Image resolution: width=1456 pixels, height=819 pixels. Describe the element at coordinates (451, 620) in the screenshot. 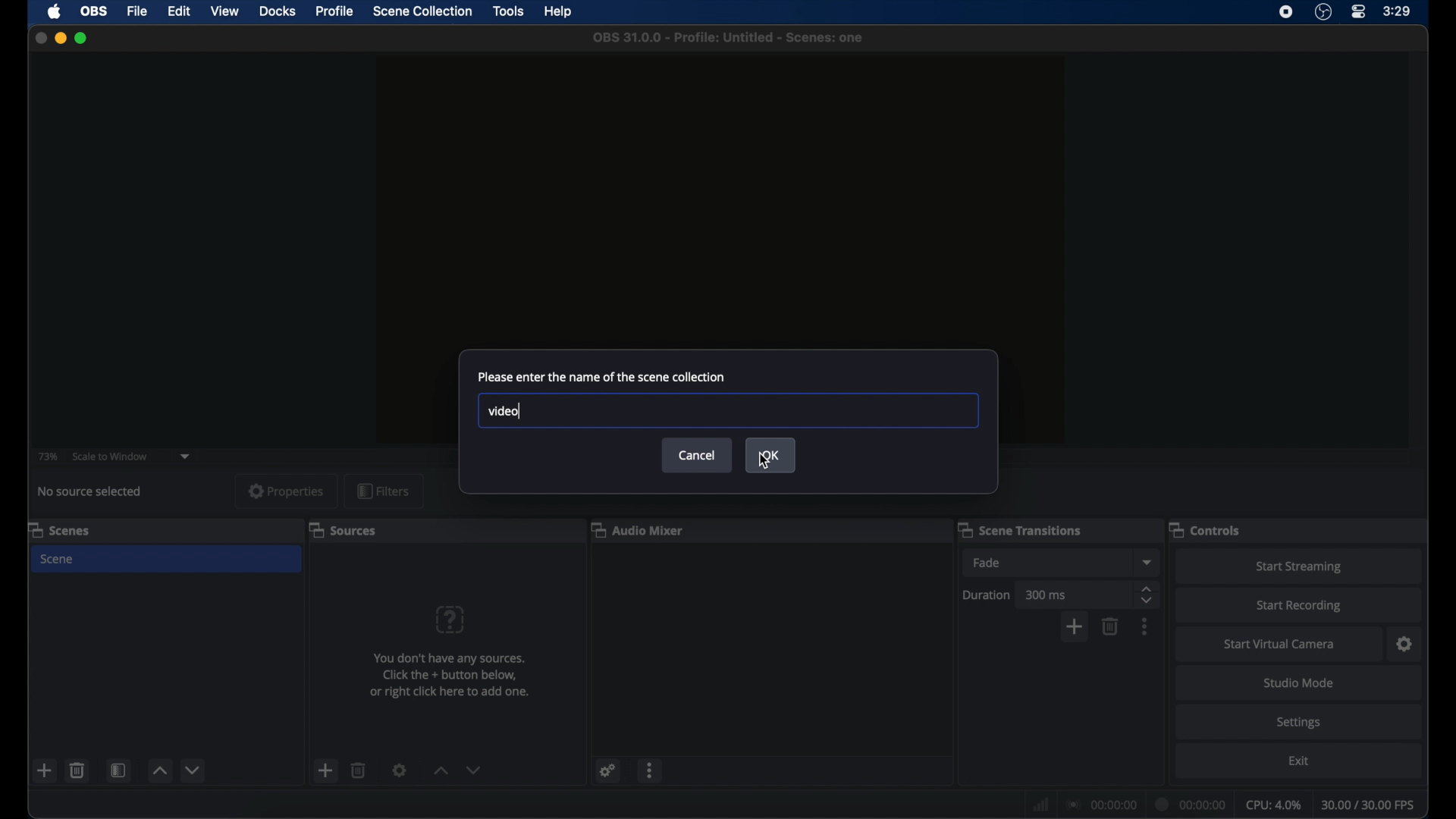

I see `question mark icon` at that location.